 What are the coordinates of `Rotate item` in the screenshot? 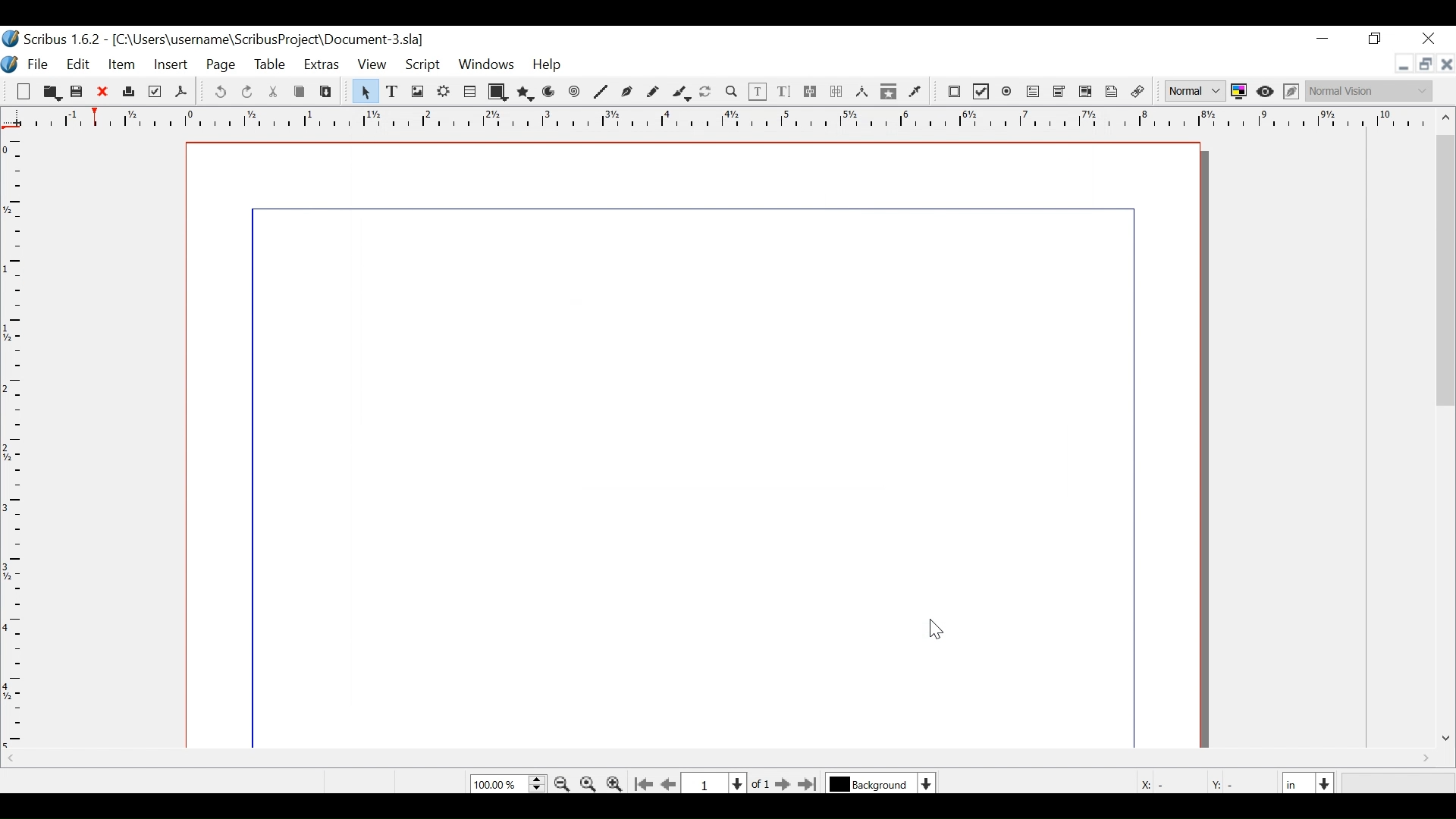 It's located at (708, 93).